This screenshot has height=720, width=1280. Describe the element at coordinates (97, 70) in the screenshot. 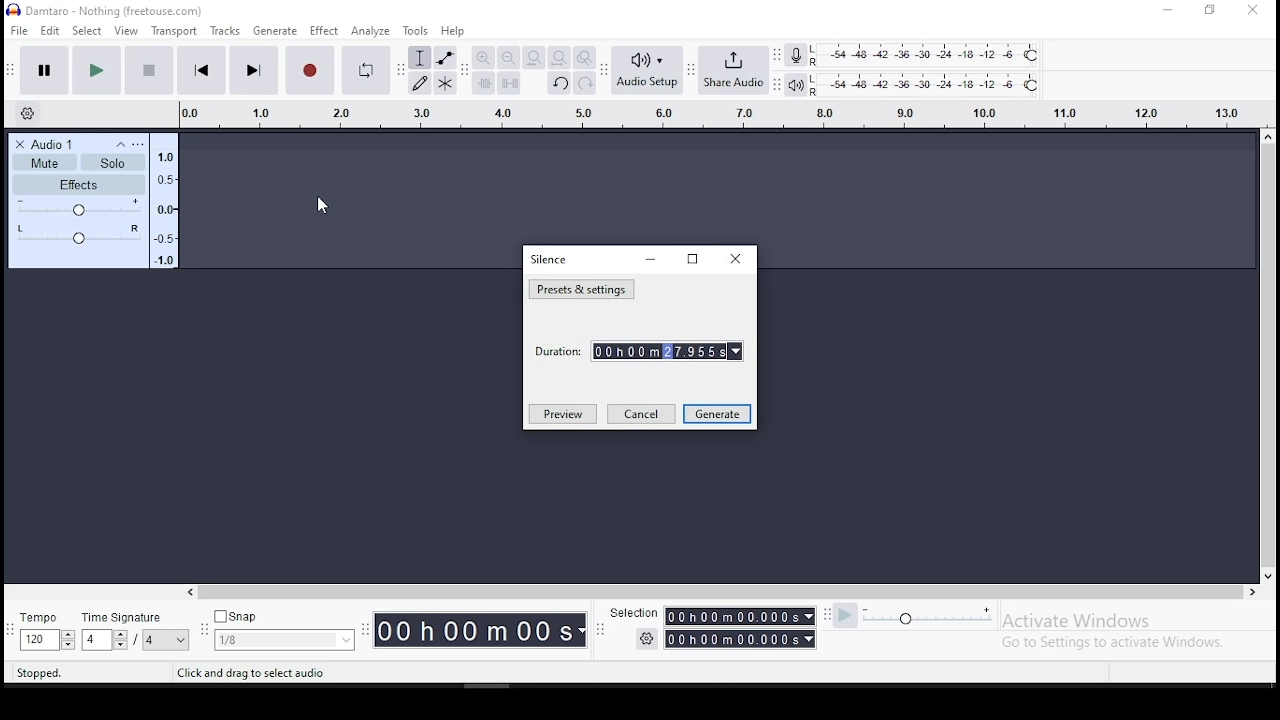

I see `play` at that location.